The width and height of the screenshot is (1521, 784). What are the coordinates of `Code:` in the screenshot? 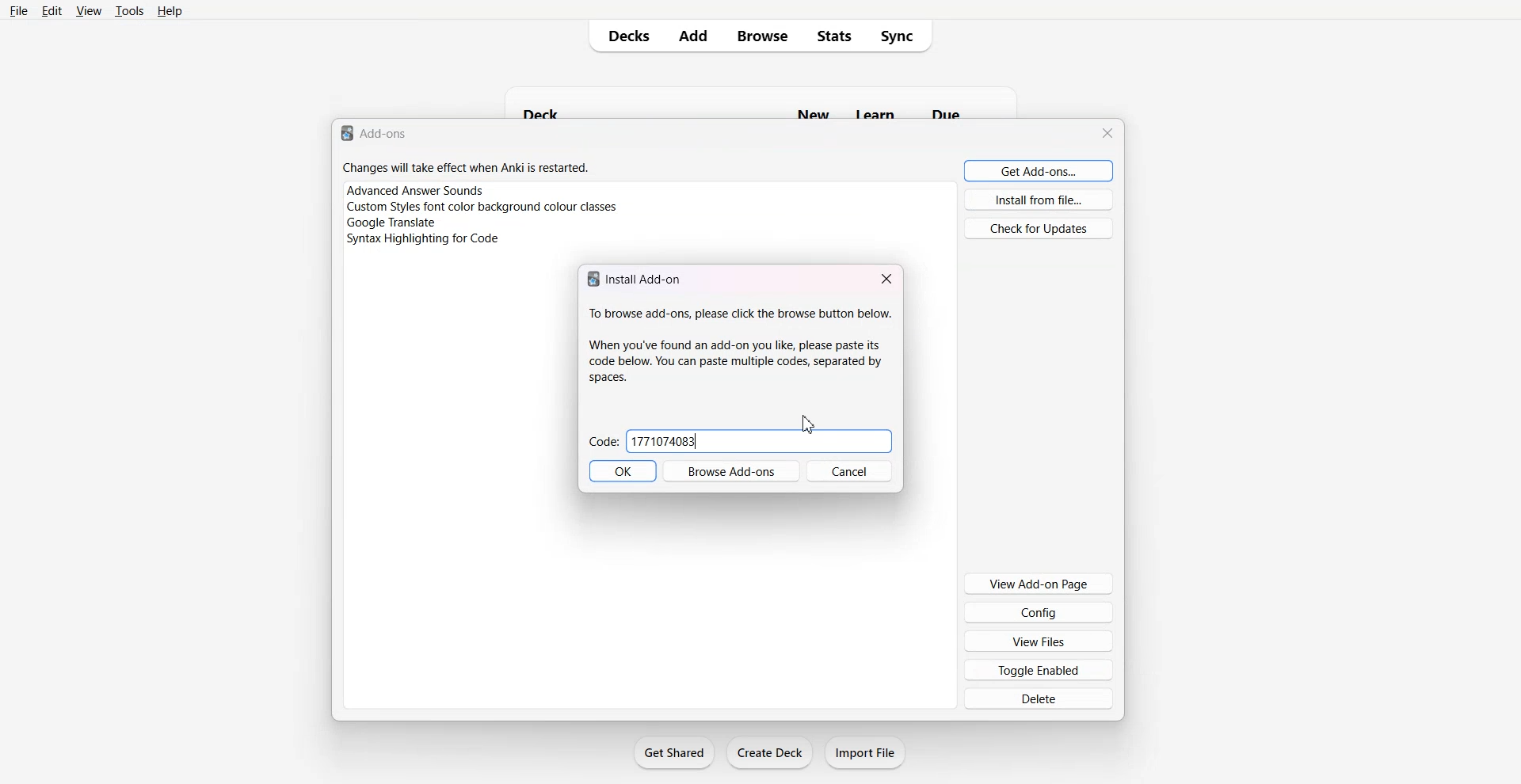 It's located at (604, 441).